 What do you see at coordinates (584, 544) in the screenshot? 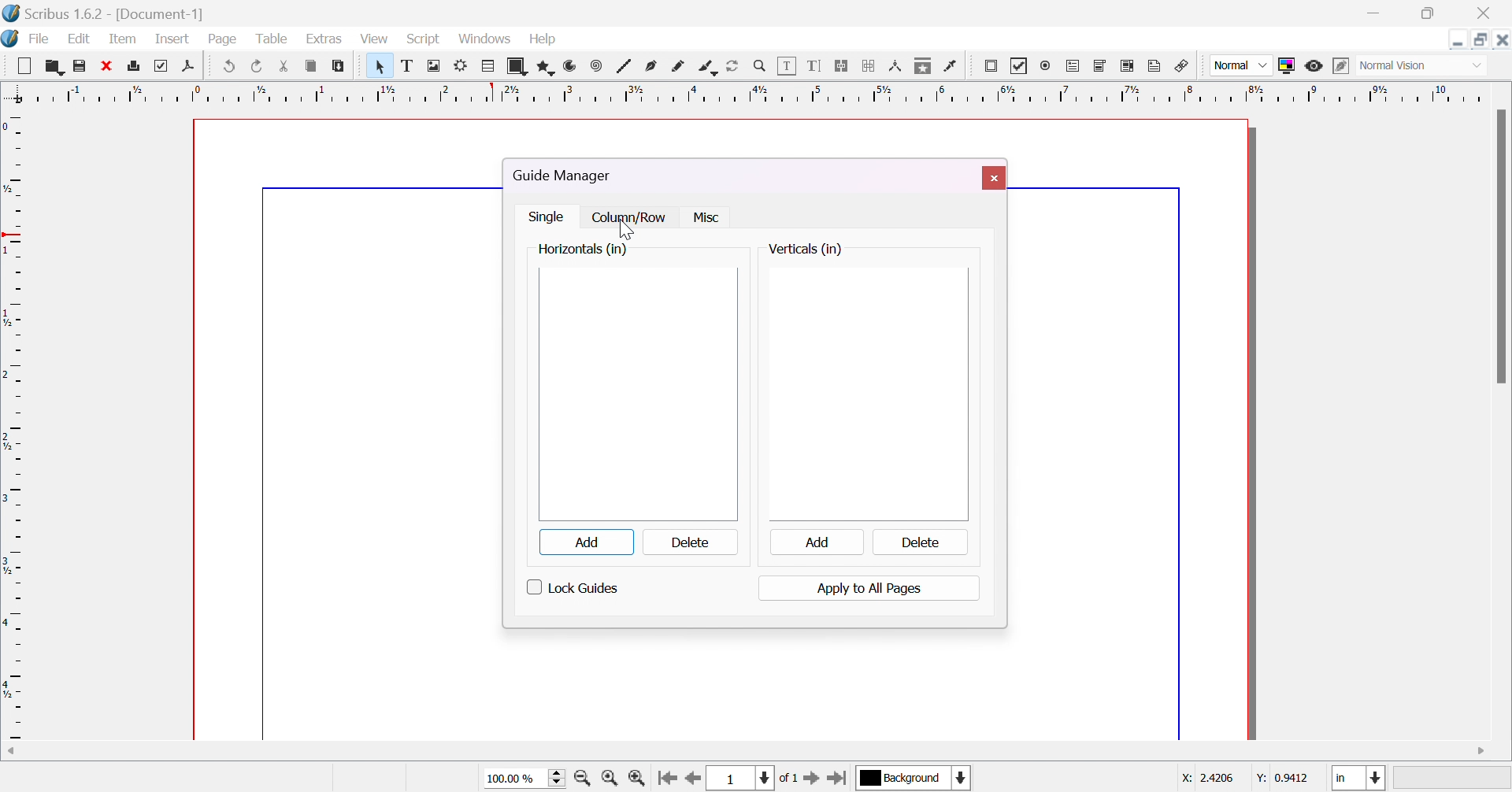
I see `add` at bounding box center [584, 544].